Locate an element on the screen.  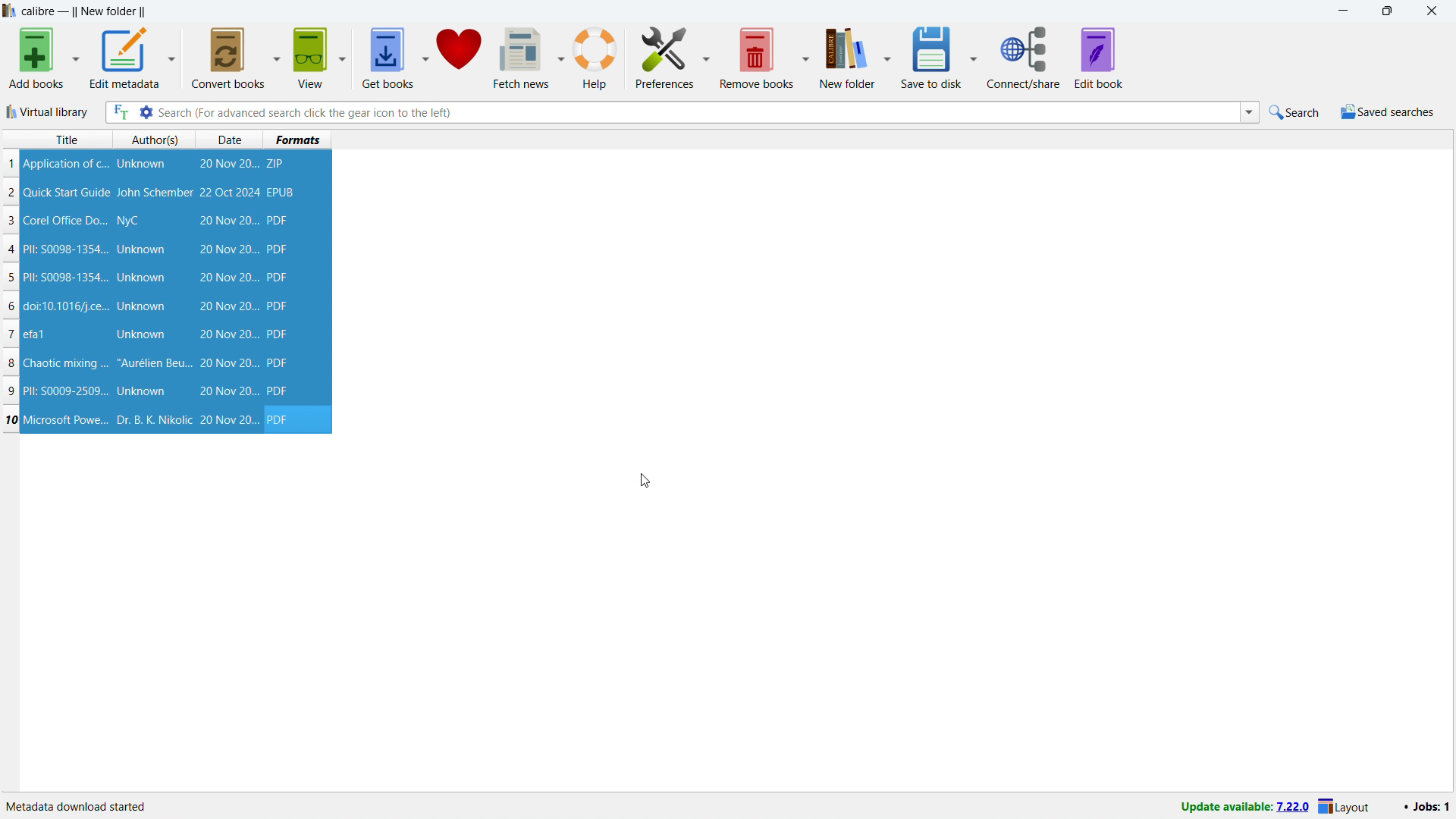
PDF is located at coordinates (279, 362).